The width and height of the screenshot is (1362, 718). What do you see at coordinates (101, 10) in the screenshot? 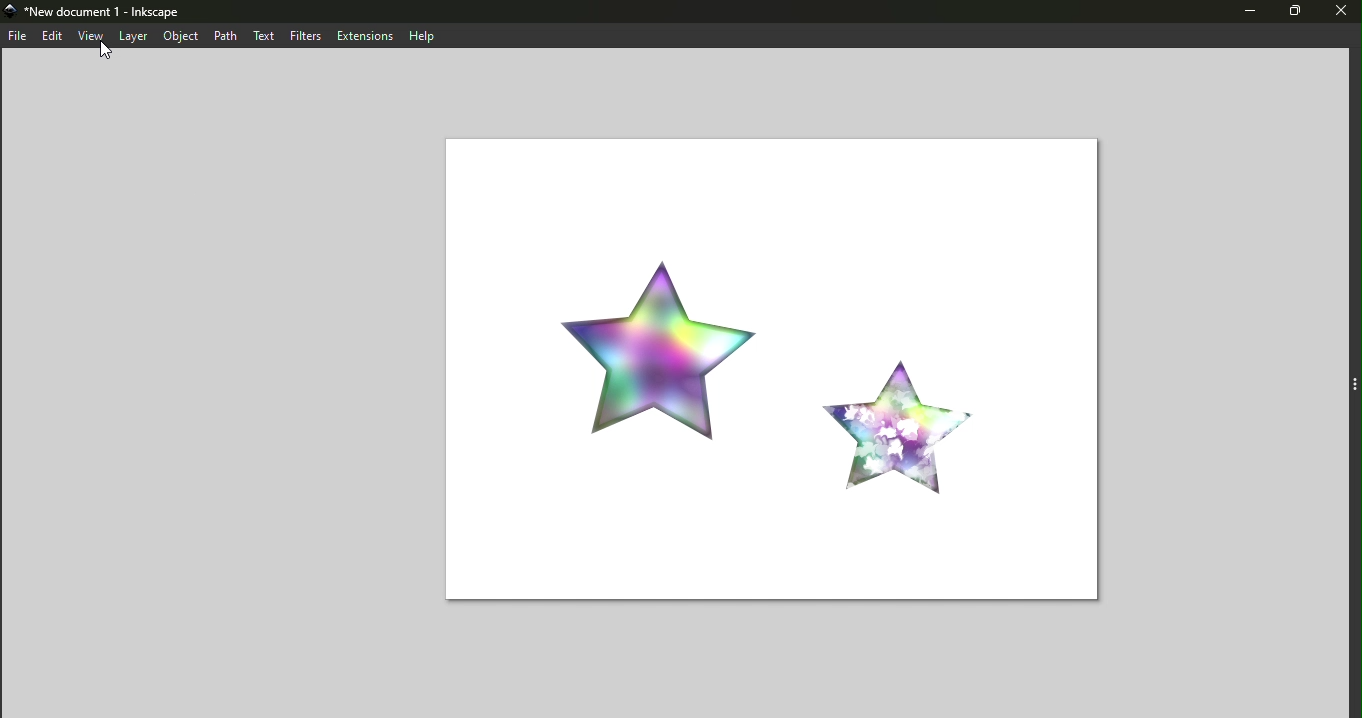
I see `new document 1-inkscape` at bounding box center [101, 10].